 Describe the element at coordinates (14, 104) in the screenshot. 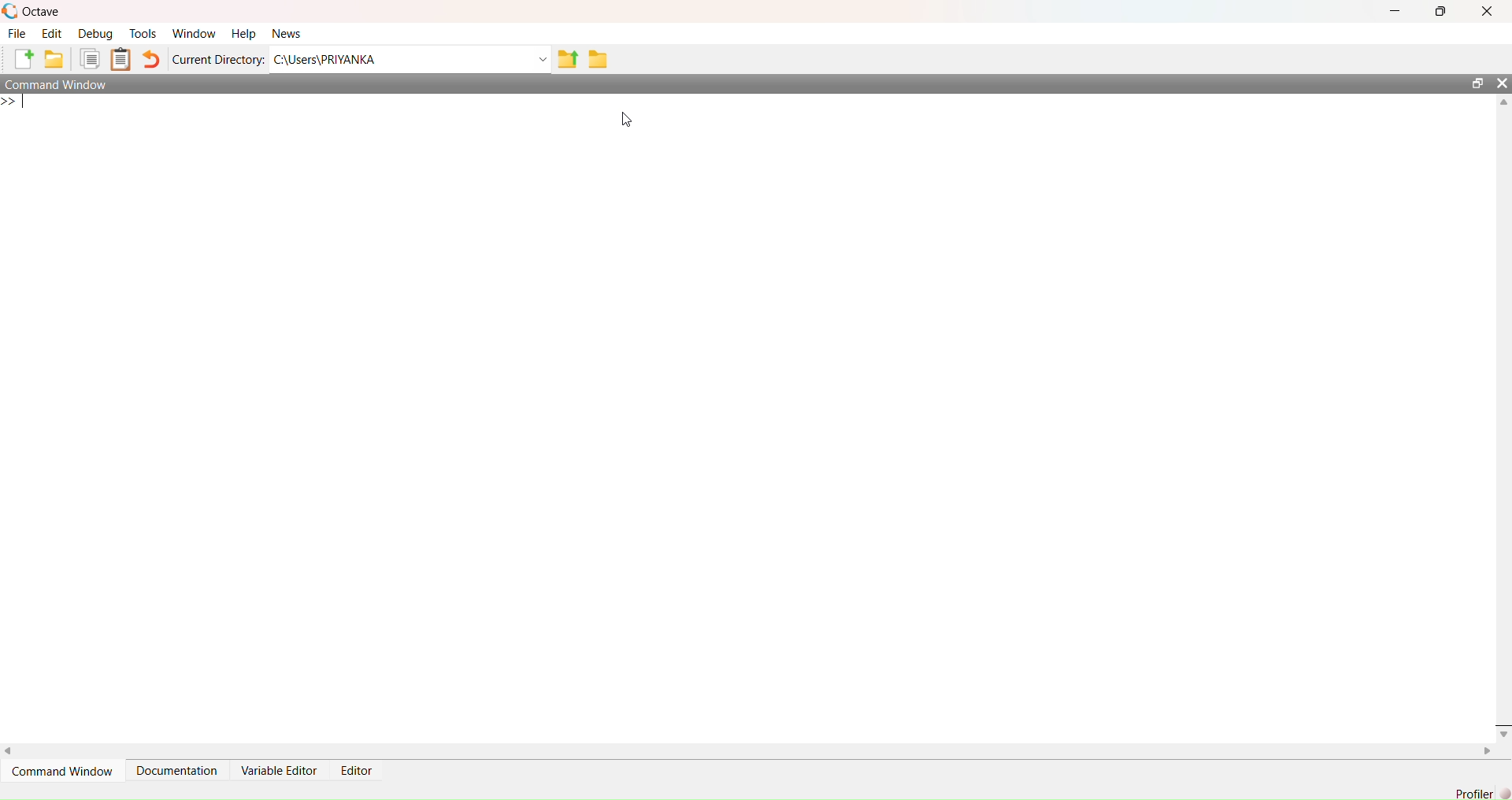

I see `Prompt cursor` at that location.